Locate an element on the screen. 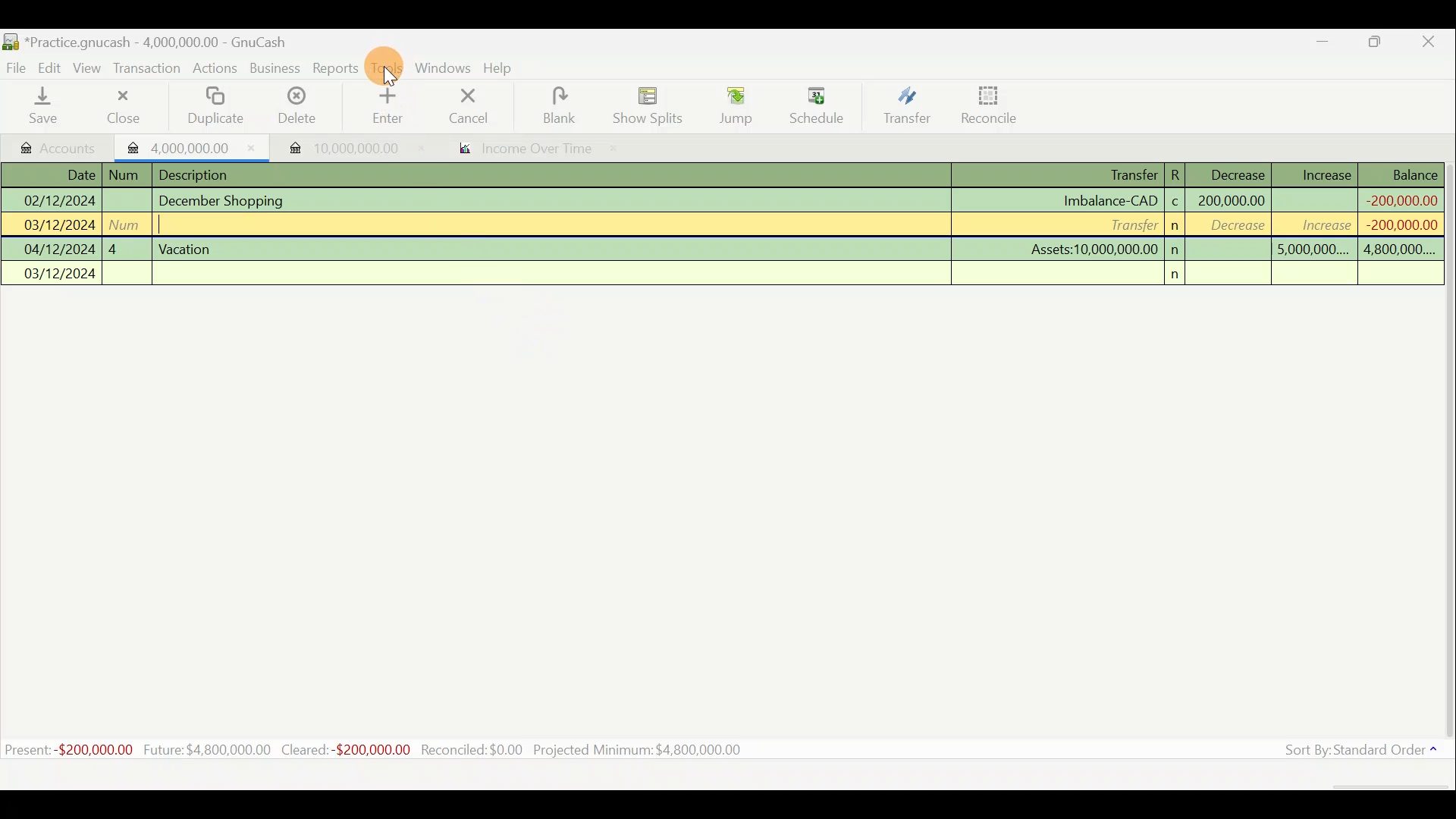  04/12/2024 is located at coordinates (60, 249).